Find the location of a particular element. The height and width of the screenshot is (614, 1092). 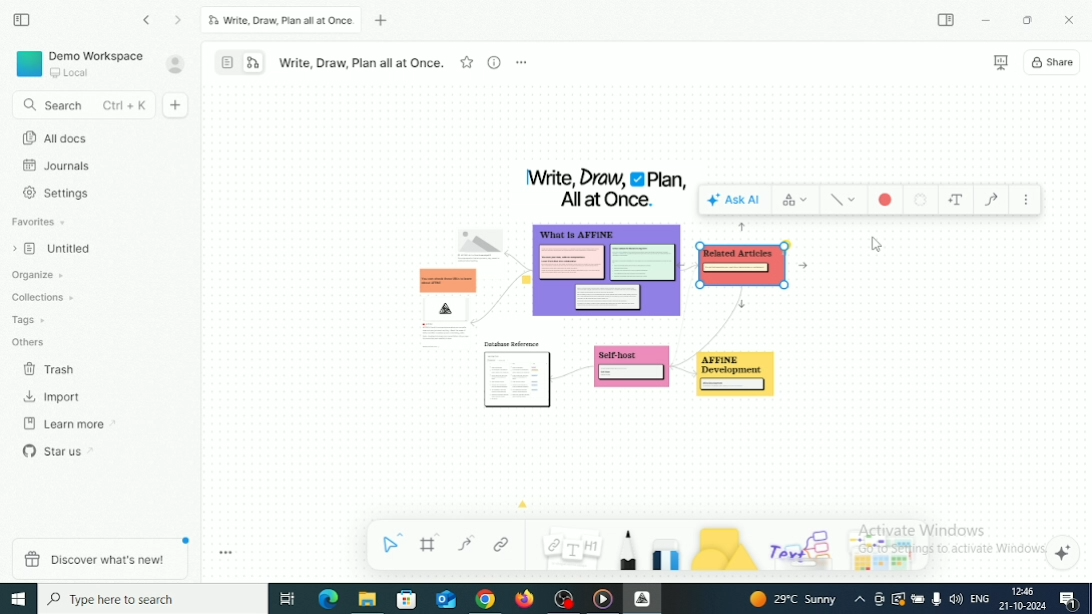

Write, Draw, Plan all at Once is located at coordinates (361, 63).